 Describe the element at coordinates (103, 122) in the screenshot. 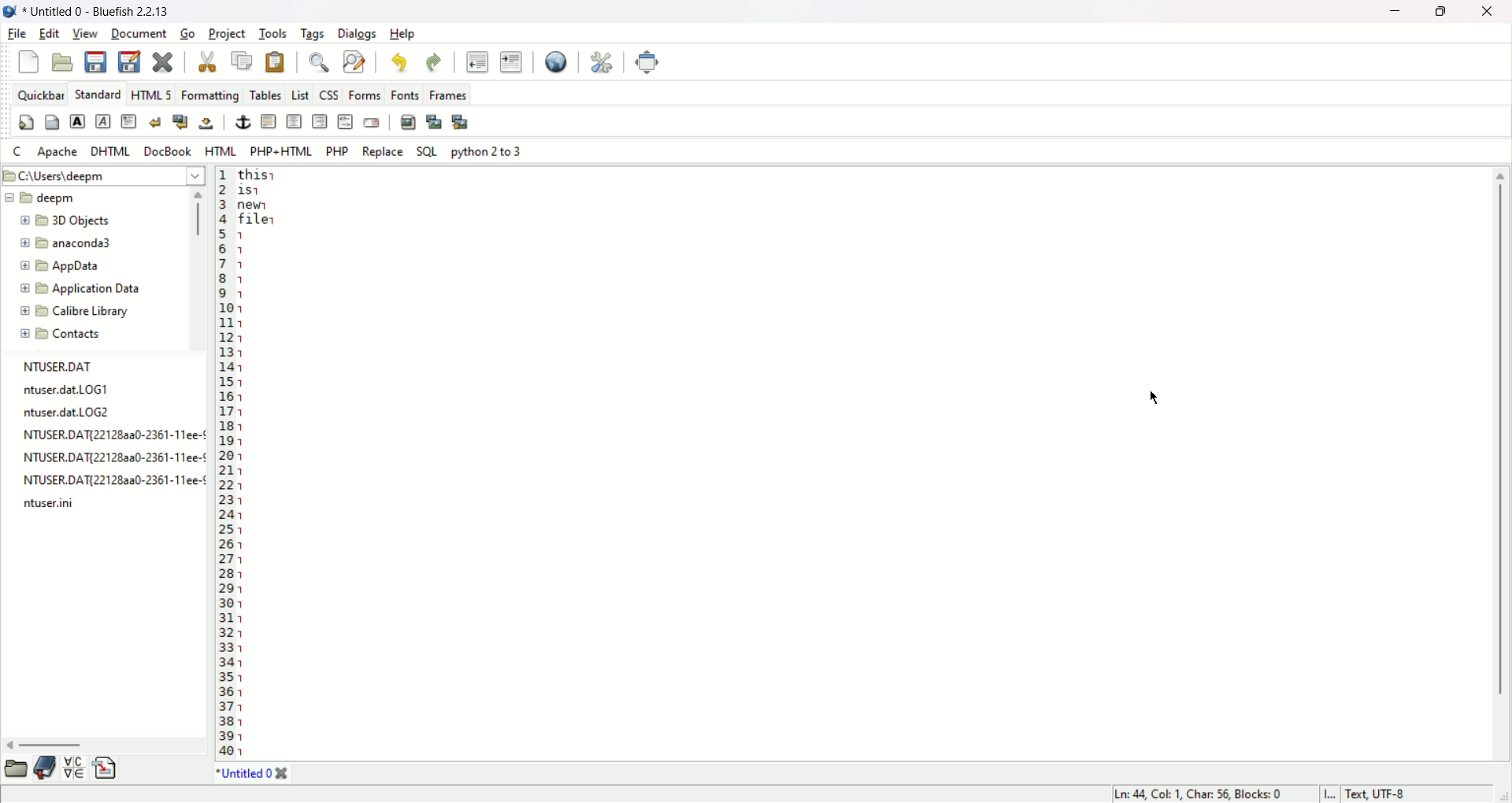

I see `emphasis` at that location.